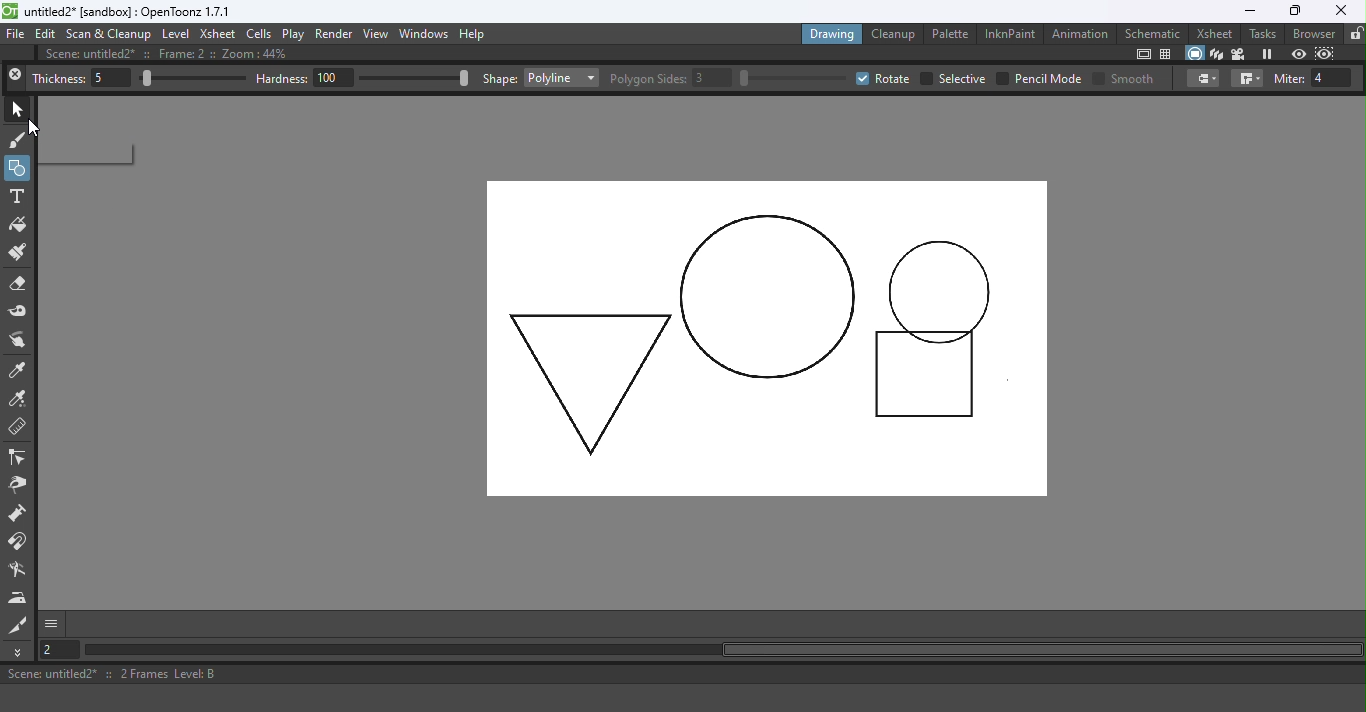 The width and height of the screenshot is (1366, 712). Describe the element at coordinates (15, 77) in the screenshot. I see `Close` at that location.